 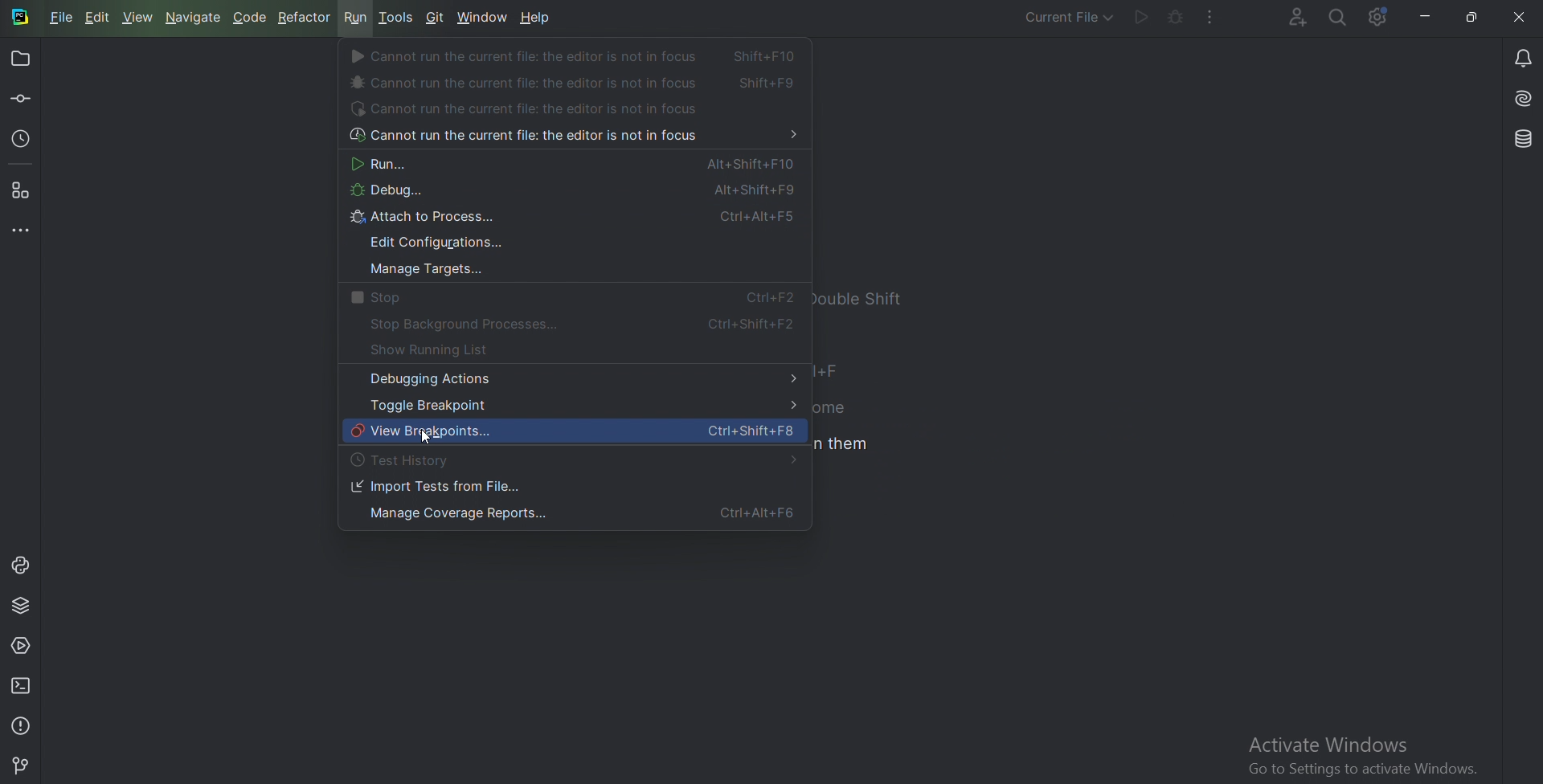 What do you see at coordinates (1068, 19) in the screenshot?
I see `Current file` at bounding box center [1068, 19].